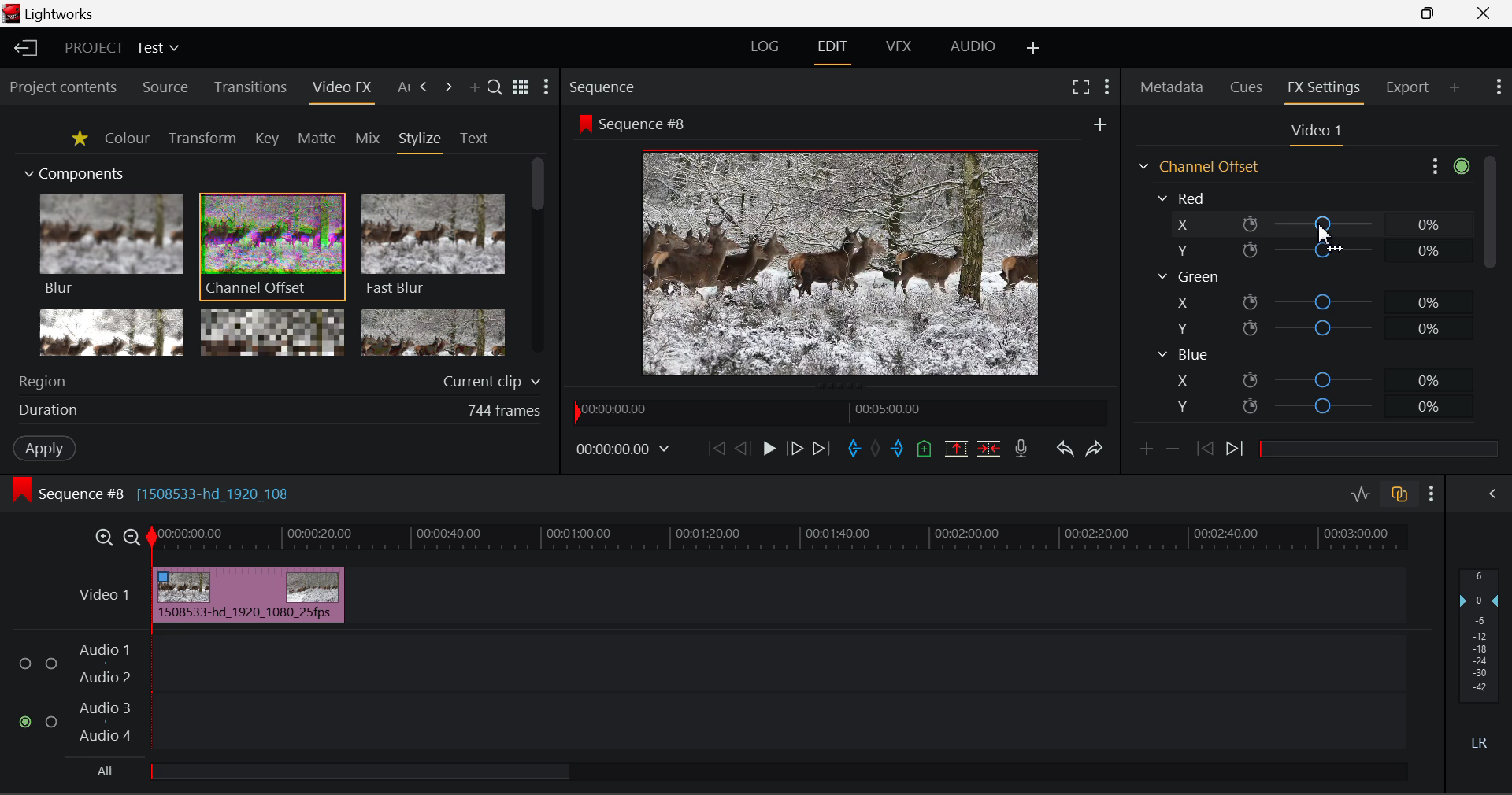 This screenshot has height=795, width=1512. Describe the element at coordinates (623, 451) in the screenshot. I see `Frame Time` at that location.